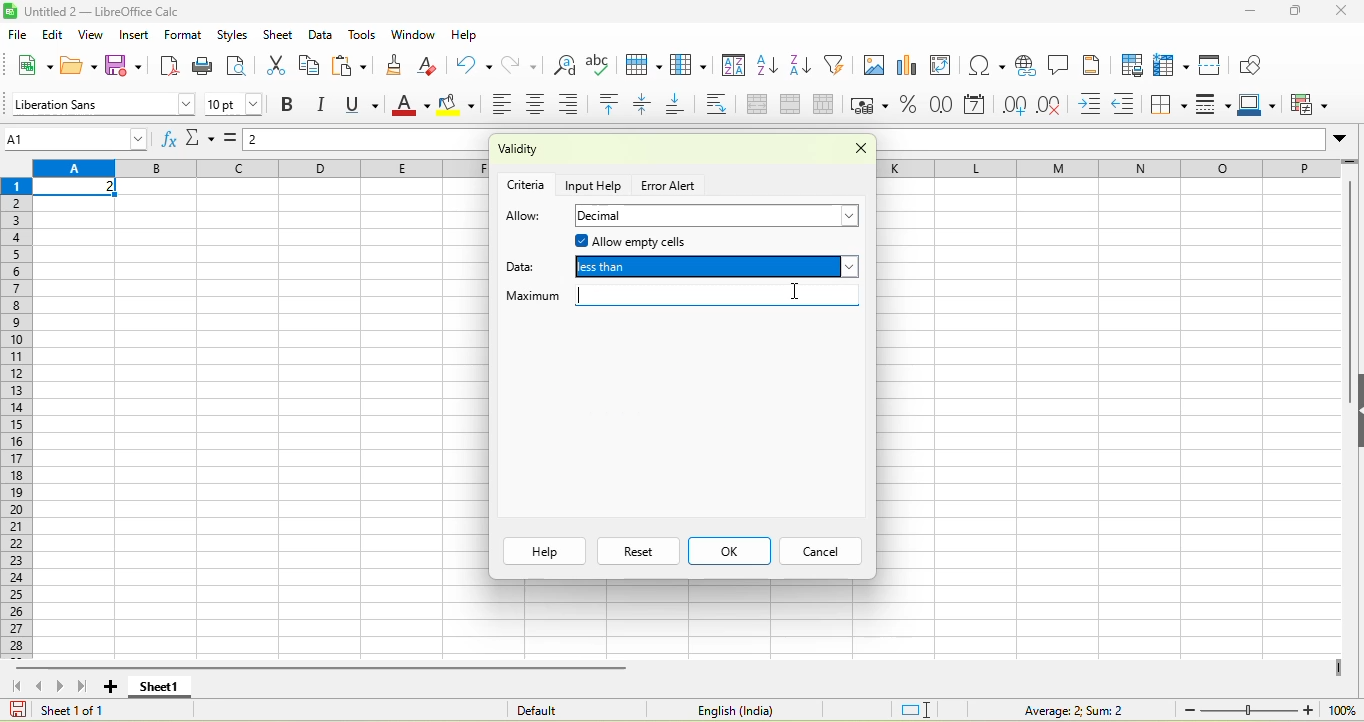 The image size is (1364, 722). What do you see at coordinates (273, 67) in the screenshot?
I see `cut` at bounding box center [273, 67].